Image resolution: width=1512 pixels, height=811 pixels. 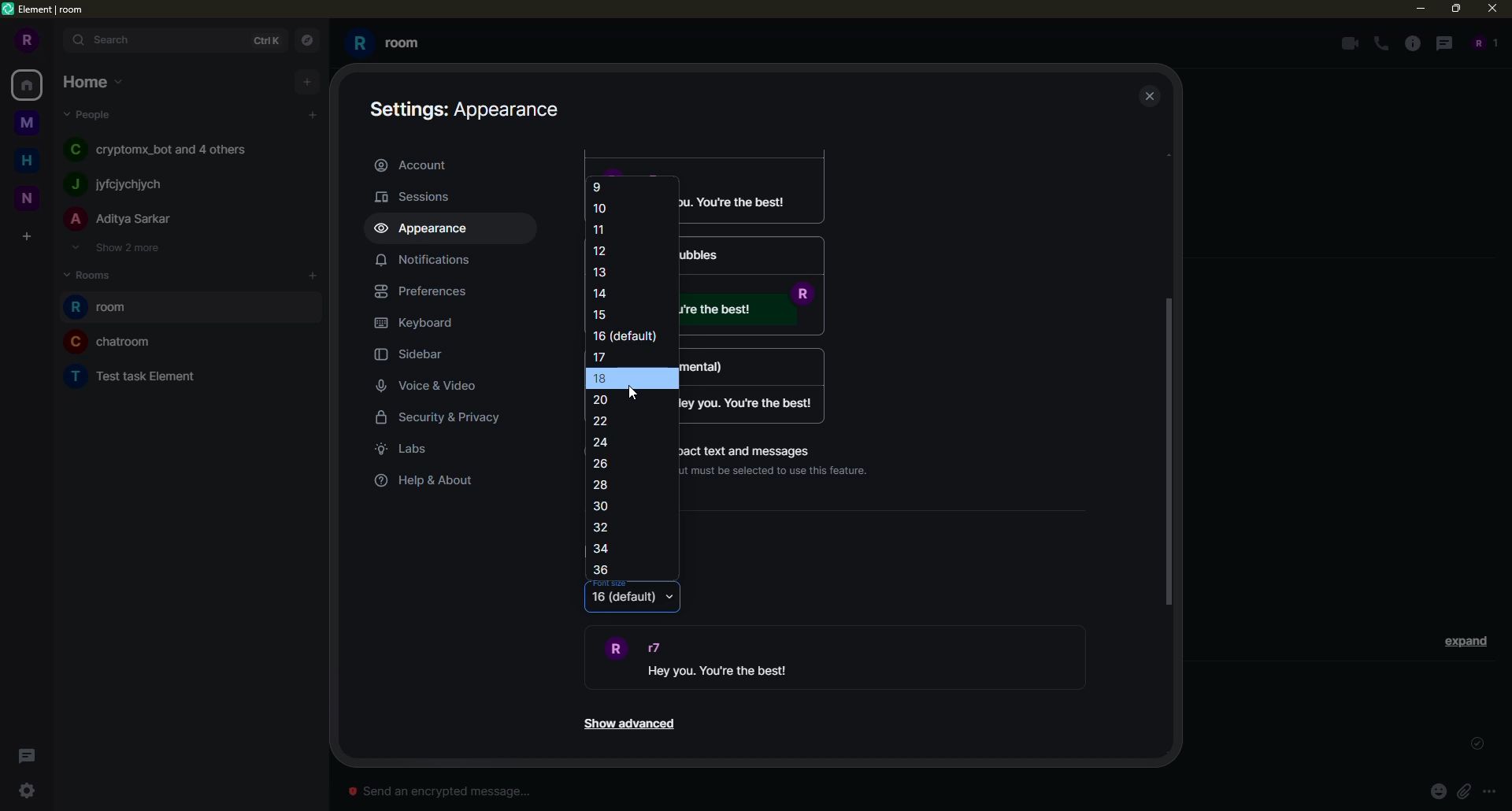 What do you see at coordinates (601, 485) in the screenshot?
I see `28` at bounding box center [601, 485].